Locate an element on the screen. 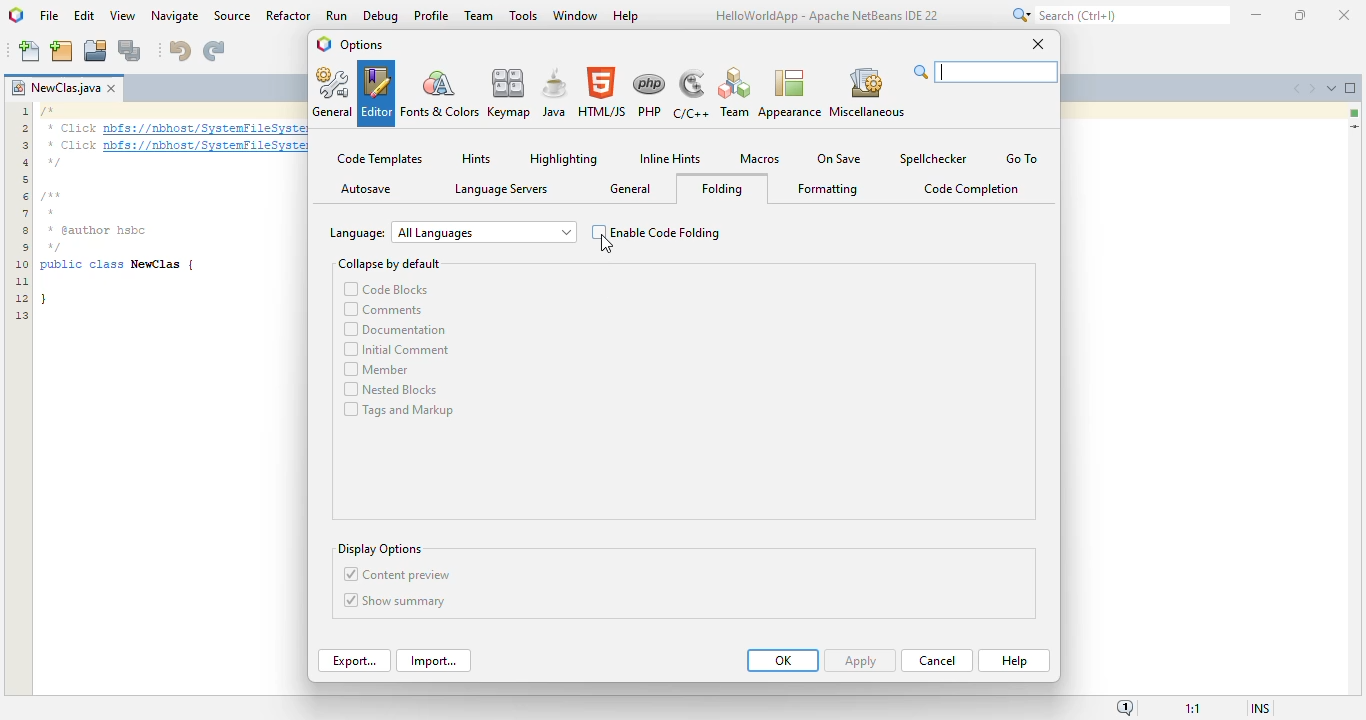 This screenshot has height=720, width=1366. enable code folding is located at coordinates (654, 232).